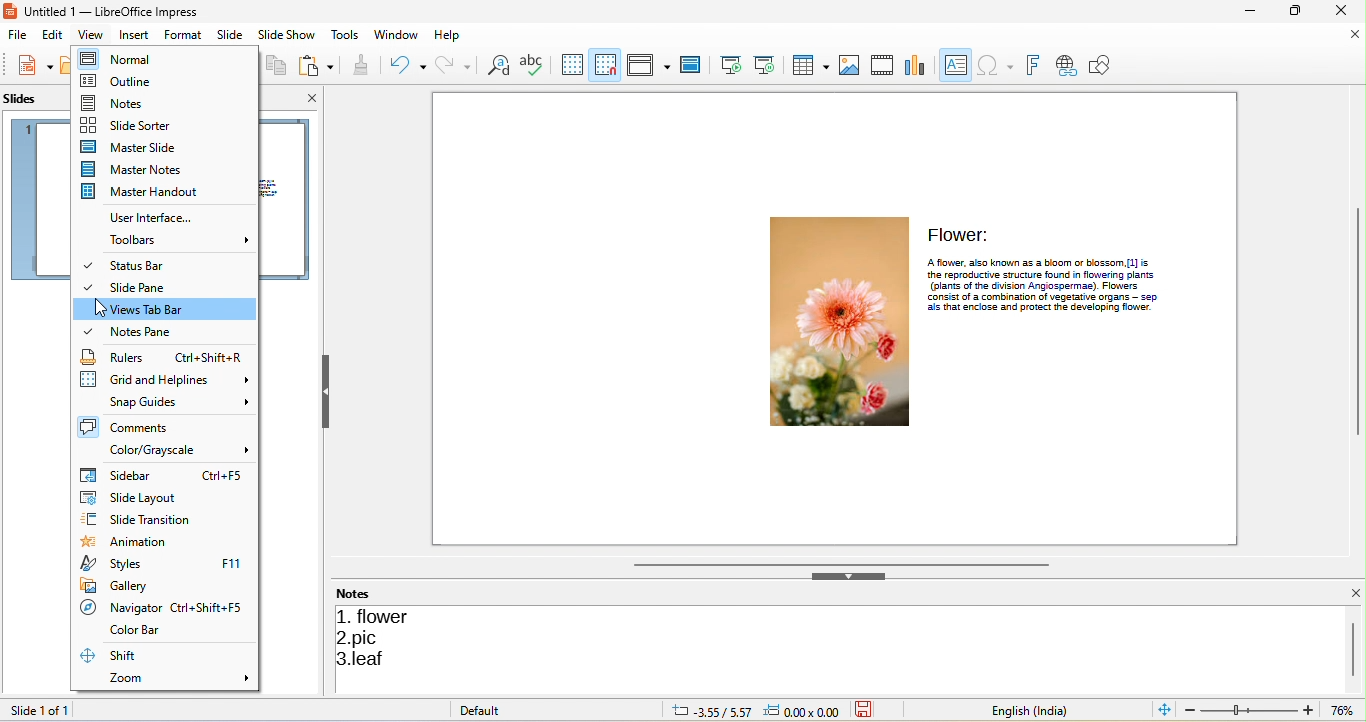 This screenshot has width=1366, height=722. Describe the element at coordinates (1299, 11) in the screenshot. I see `maximize` at that location.